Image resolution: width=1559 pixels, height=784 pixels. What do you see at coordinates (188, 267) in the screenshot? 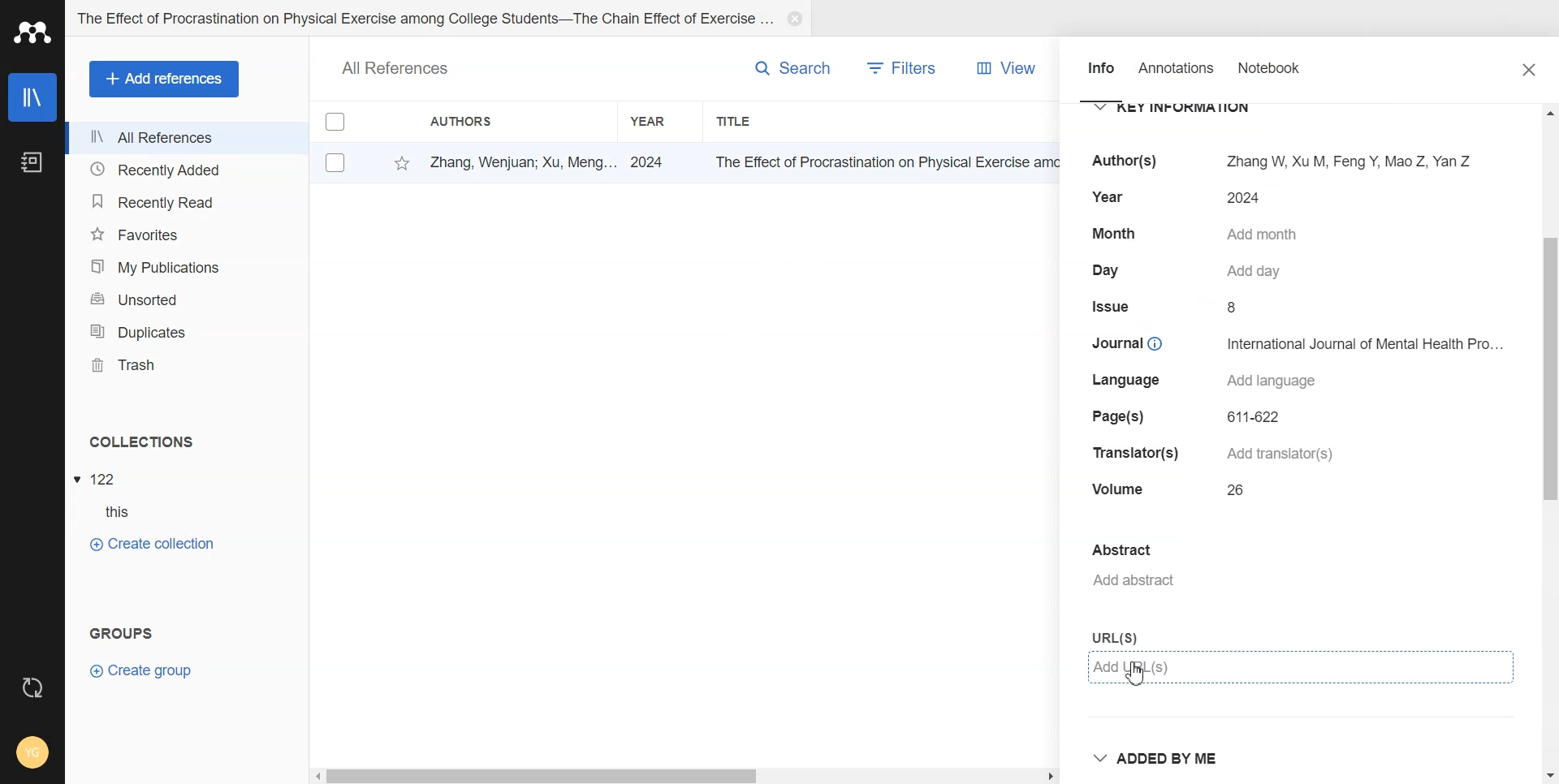
I see `My Publication` at bounding box center [188, 267].